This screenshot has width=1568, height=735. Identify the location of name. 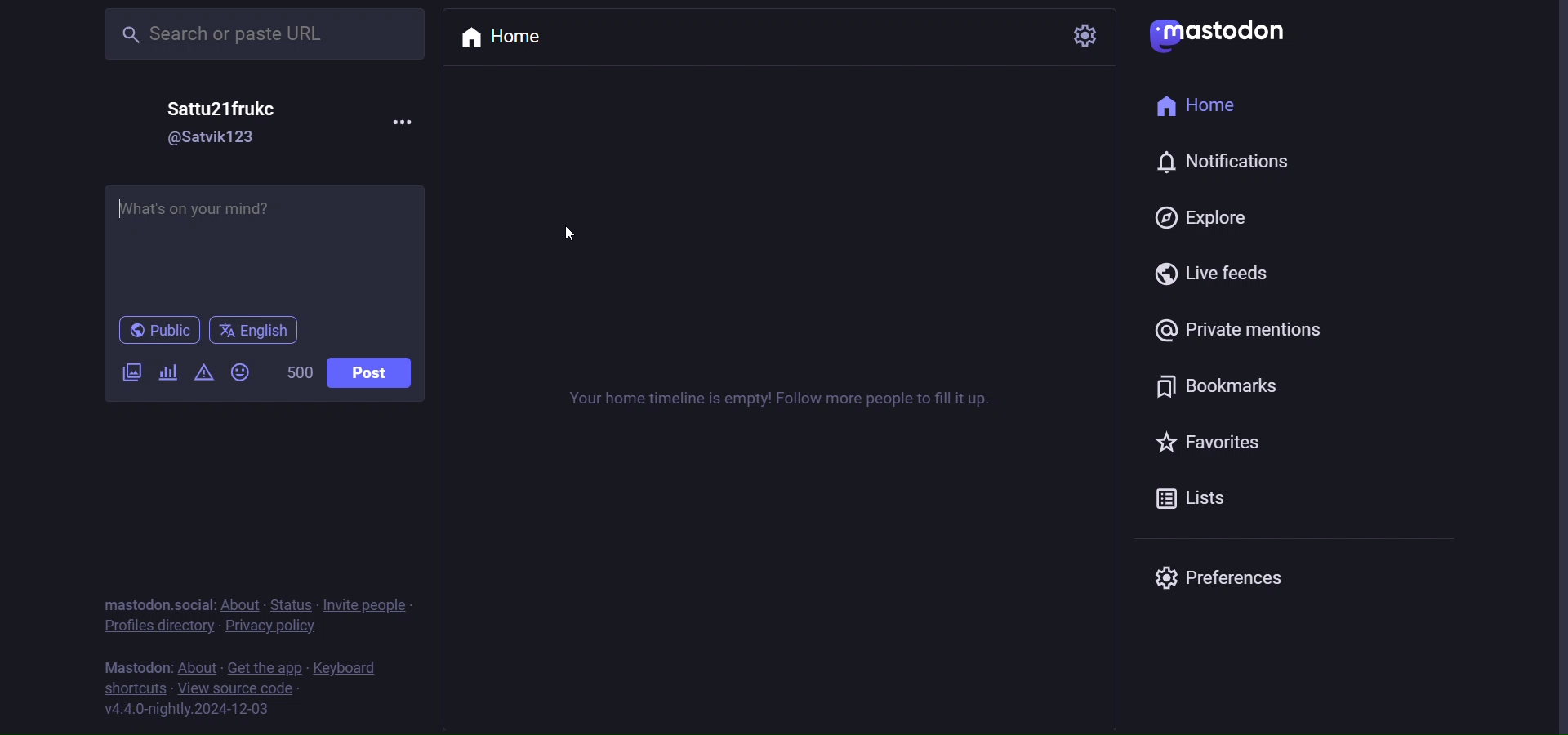
(220, 109).